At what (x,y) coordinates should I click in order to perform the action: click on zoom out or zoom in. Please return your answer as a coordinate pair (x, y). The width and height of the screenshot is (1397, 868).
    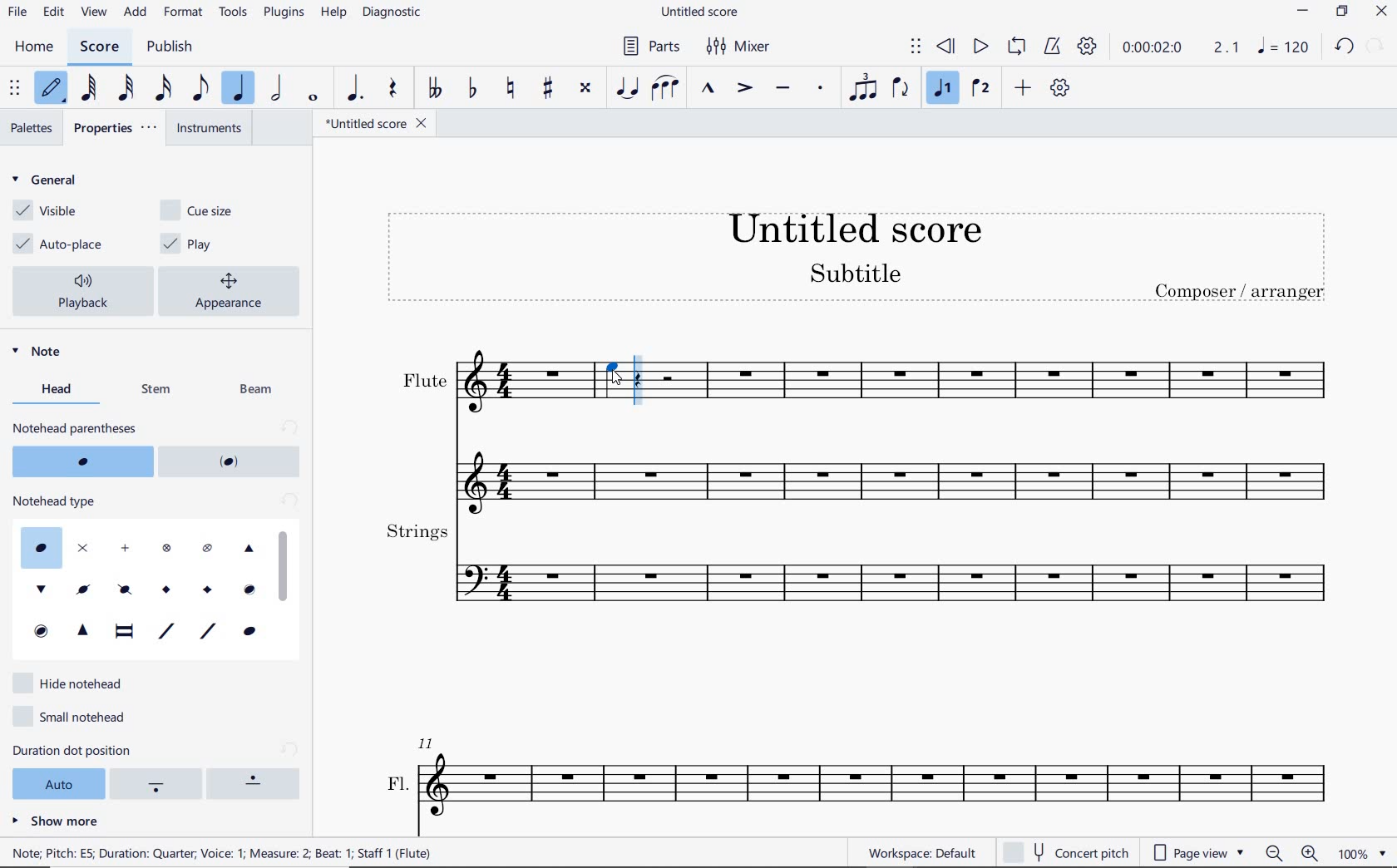
    Looking at the image, I should click on (1295, 854).